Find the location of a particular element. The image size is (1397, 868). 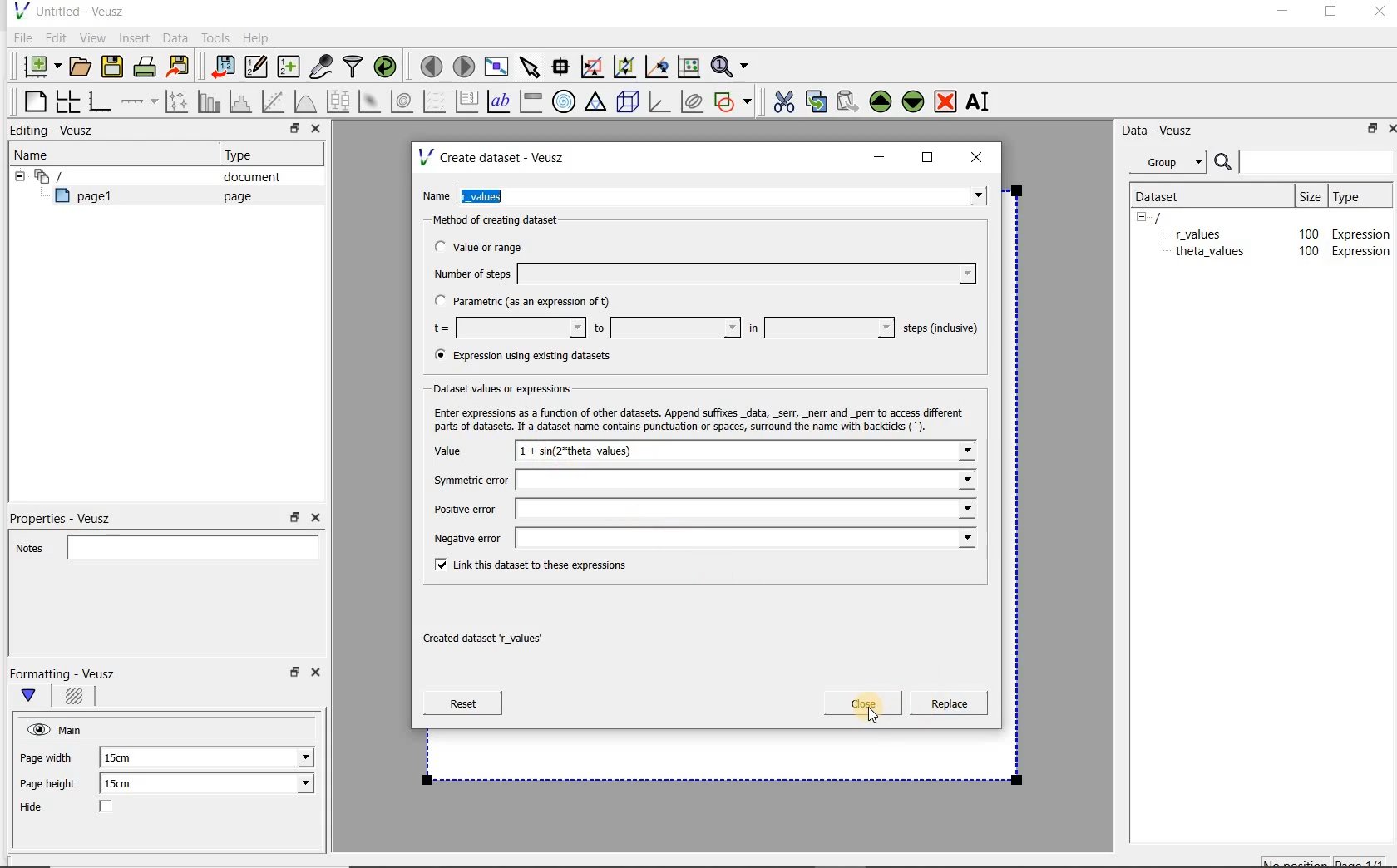

new document is located at coordinates (38, 64).